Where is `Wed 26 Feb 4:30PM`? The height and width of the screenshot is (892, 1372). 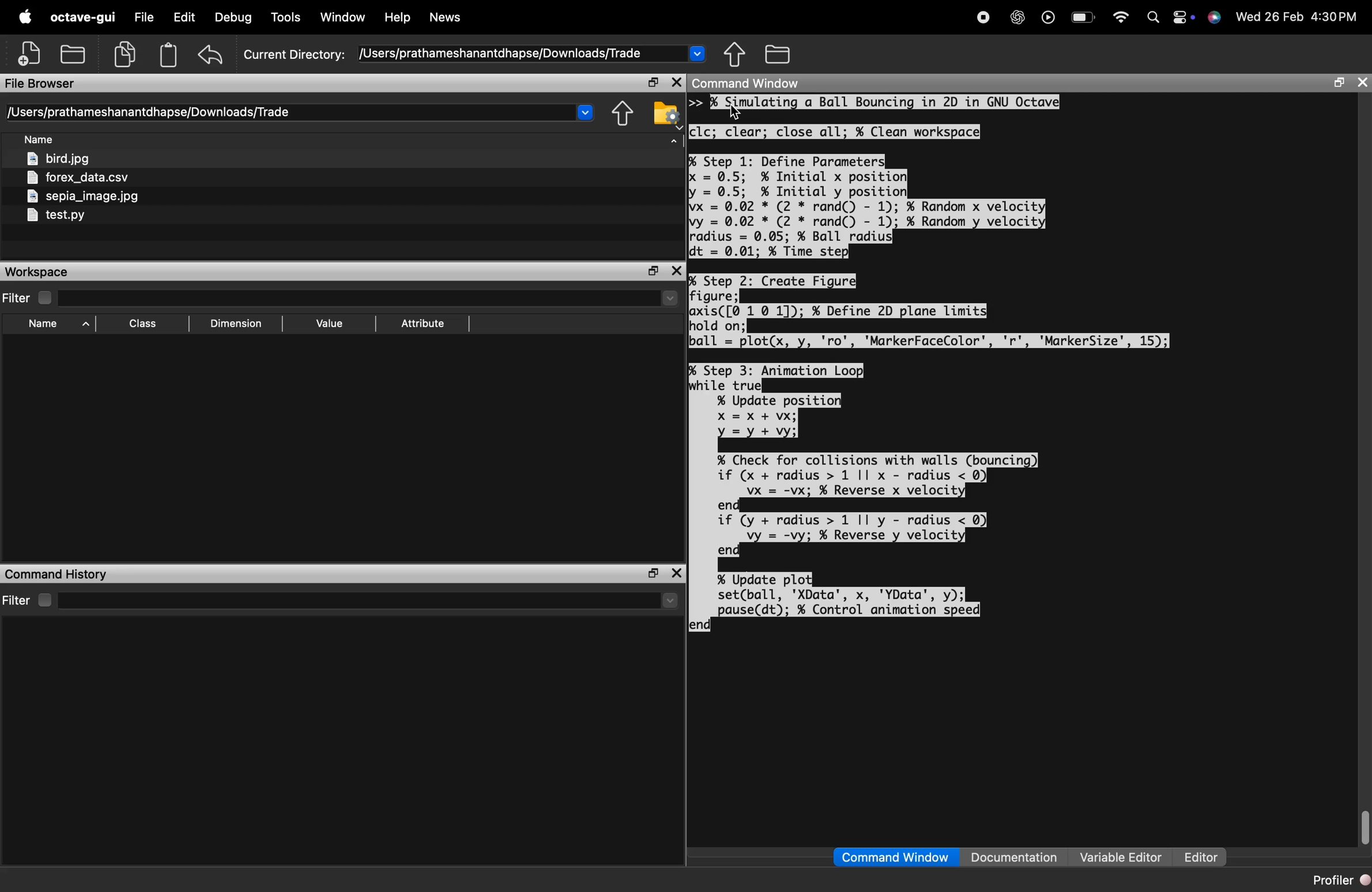
Wed 26 Feb 4:30PM is located at coordinates (1297, 17).